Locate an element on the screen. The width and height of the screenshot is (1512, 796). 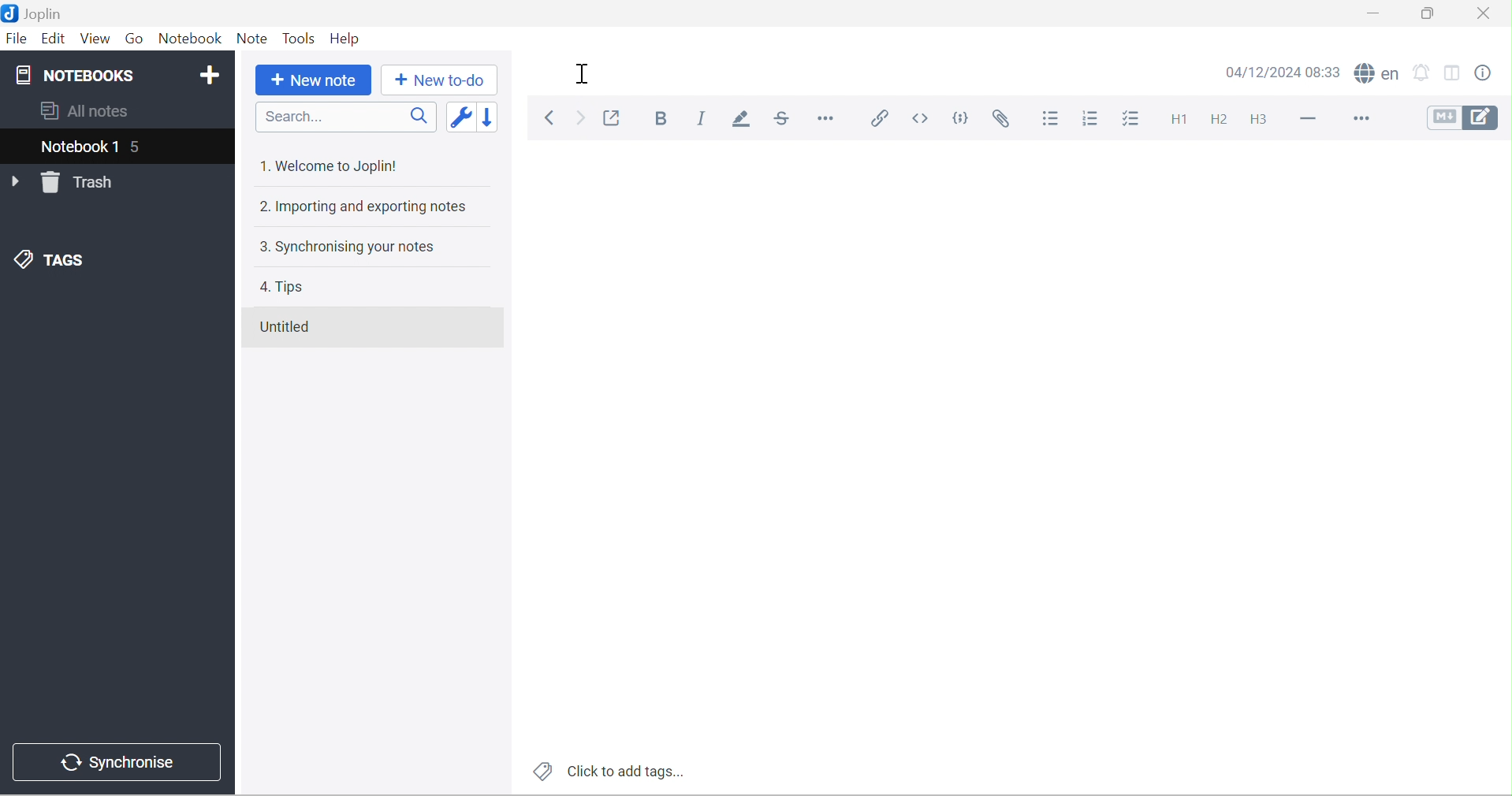
Strikethrough is located at coordinates (784, 117).